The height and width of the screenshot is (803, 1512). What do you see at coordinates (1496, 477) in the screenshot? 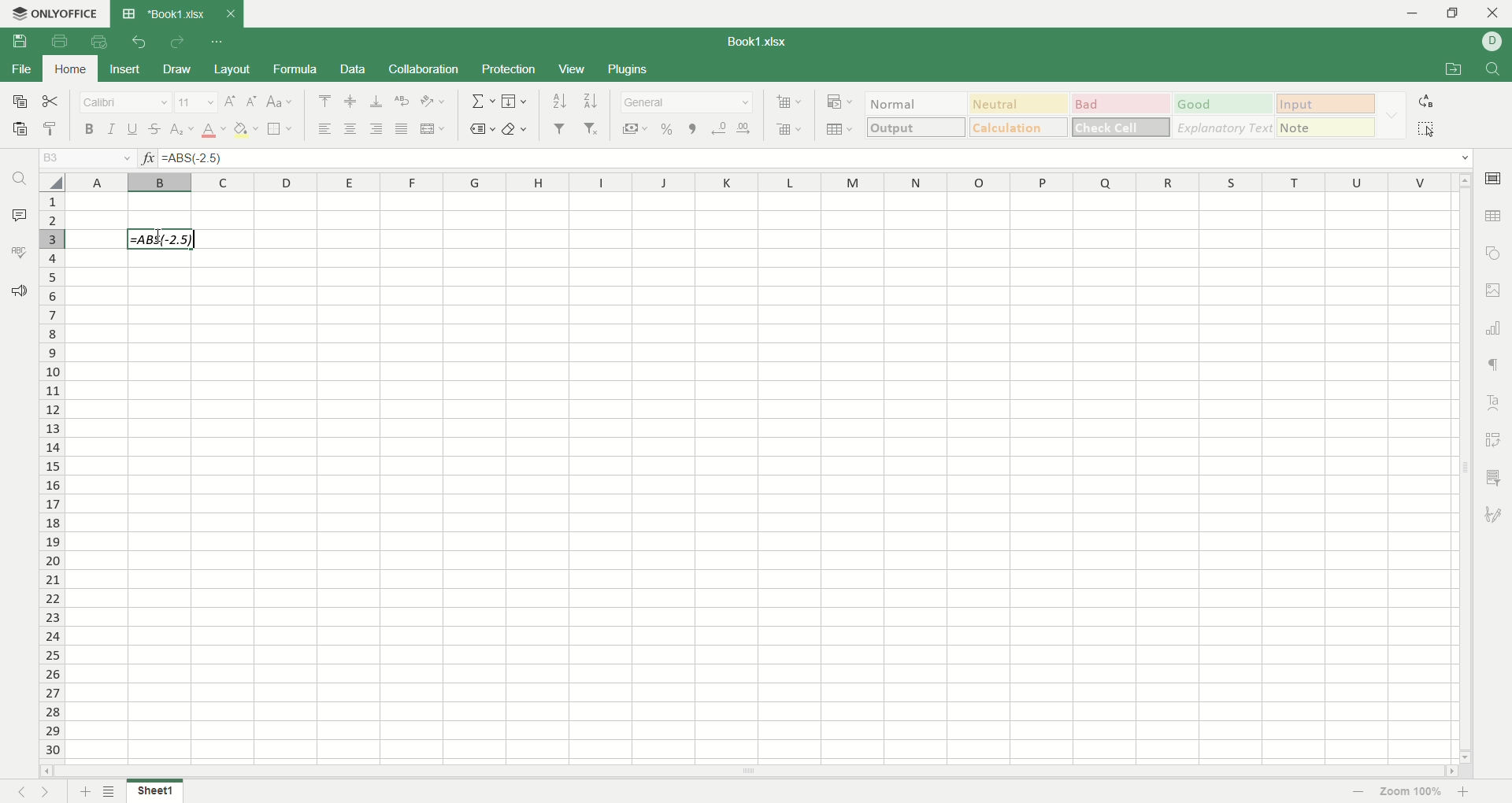
I see `slicer` at bounding box center [1496, 477].